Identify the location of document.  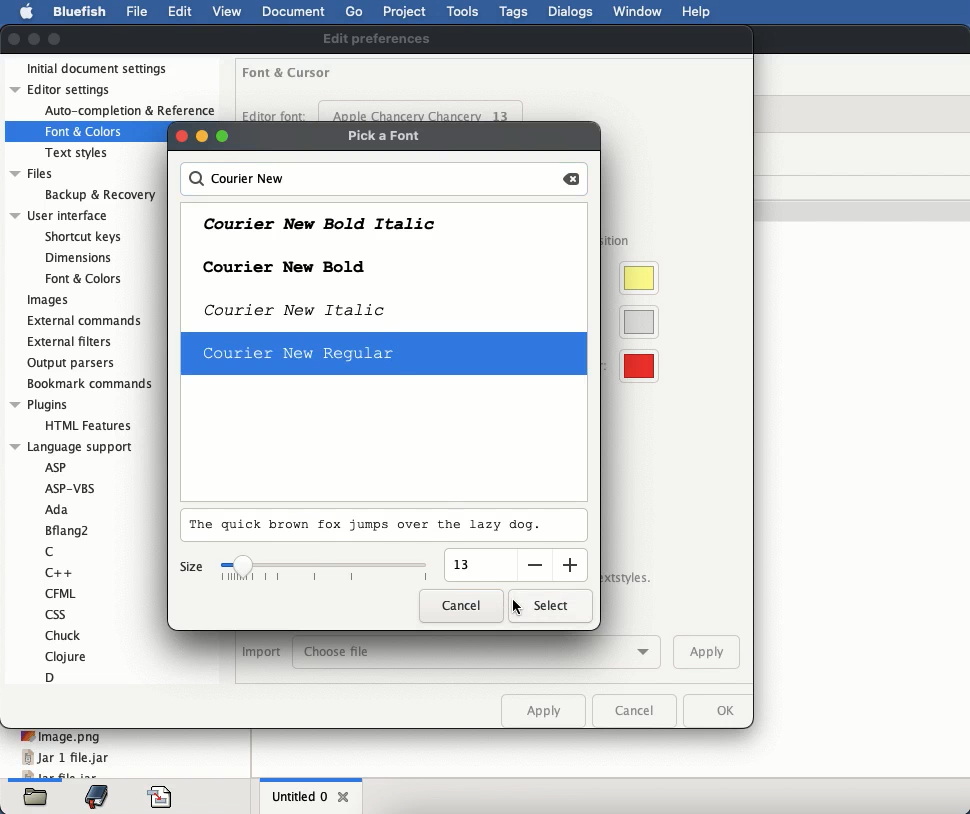
(295, 14).